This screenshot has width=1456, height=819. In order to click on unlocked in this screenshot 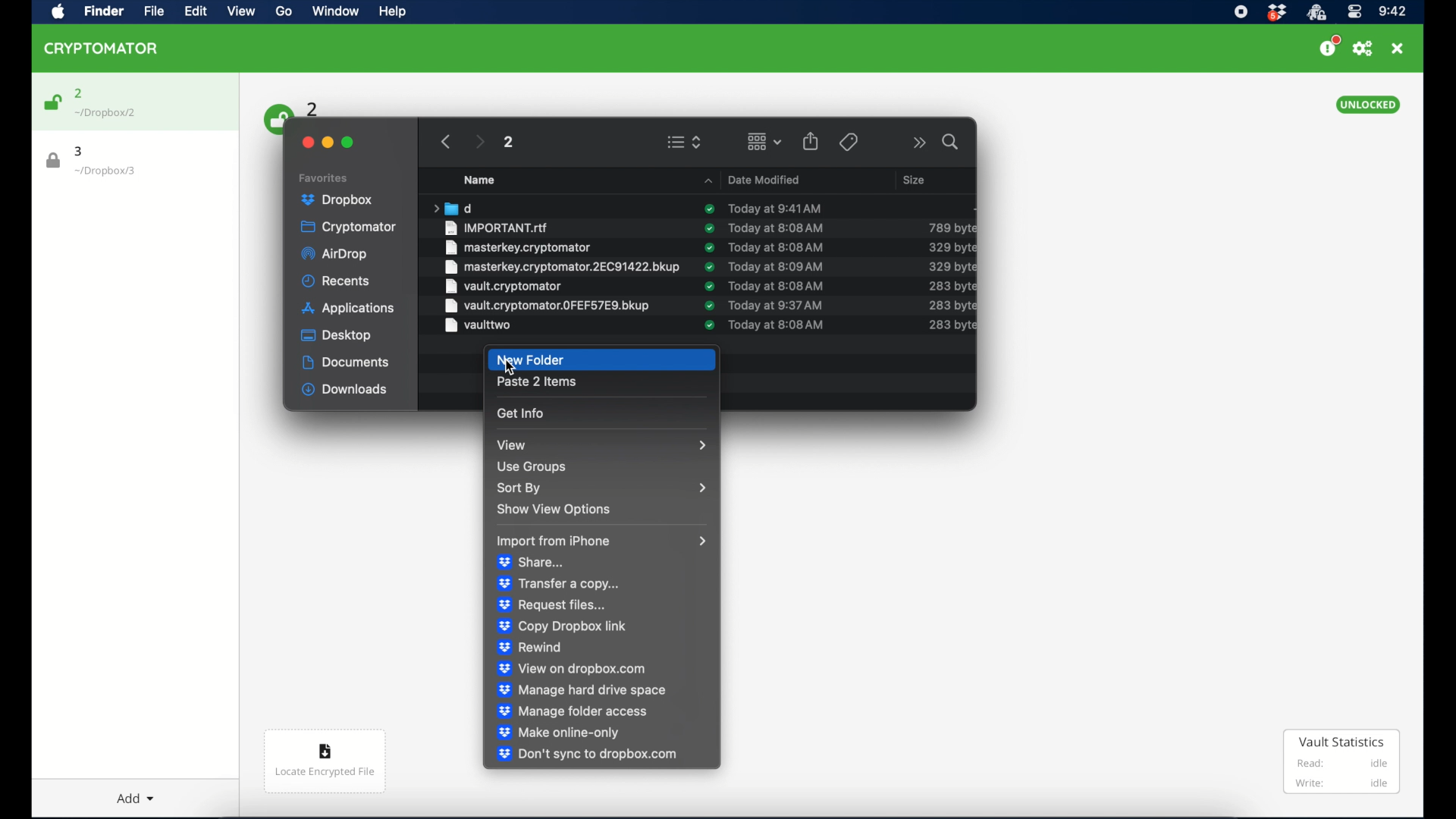, I will do `click(1367, 105)`.